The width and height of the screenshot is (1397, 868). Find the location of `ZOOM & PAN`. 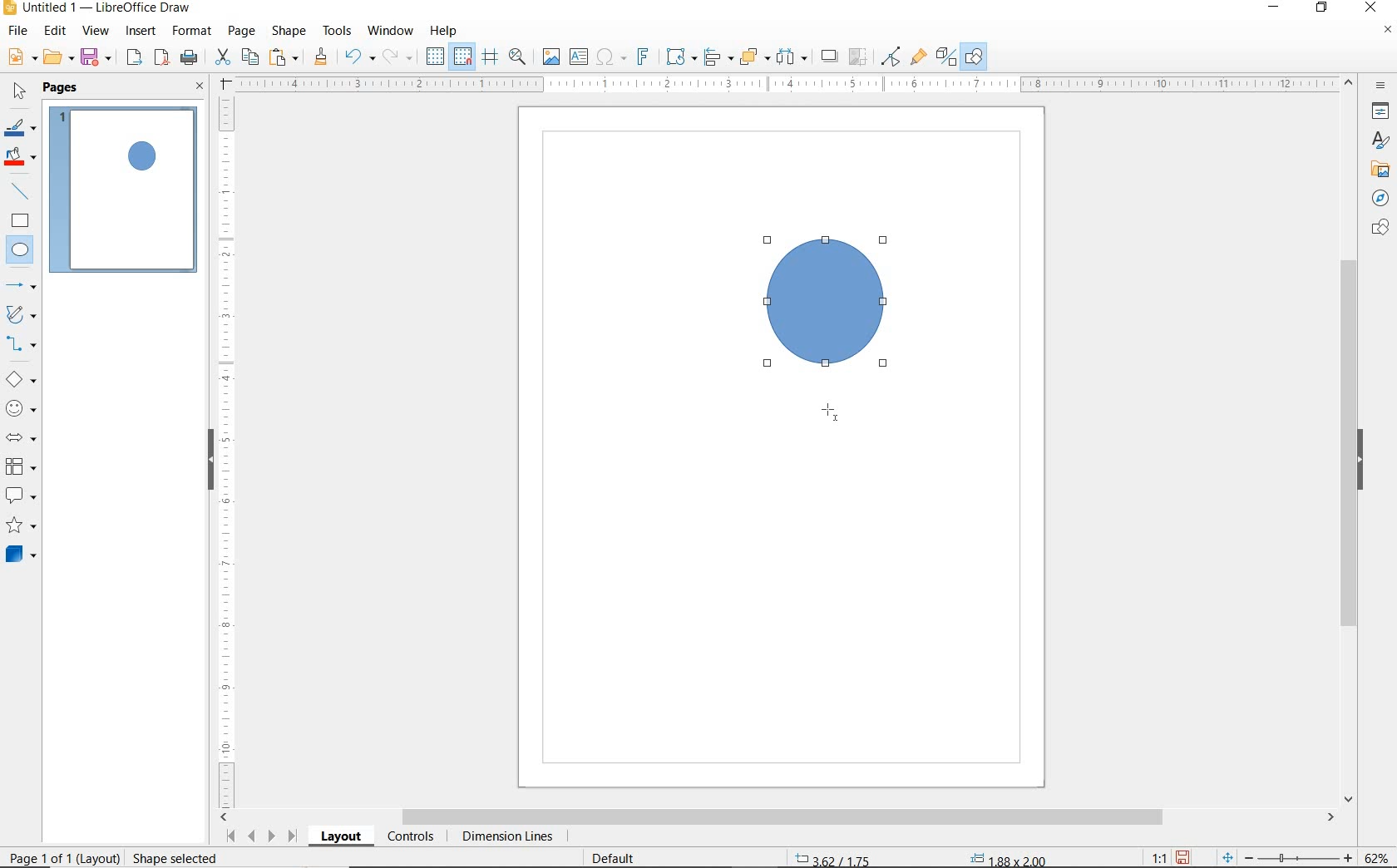

ZOOM & PAN is located at coordinates (517, 56).